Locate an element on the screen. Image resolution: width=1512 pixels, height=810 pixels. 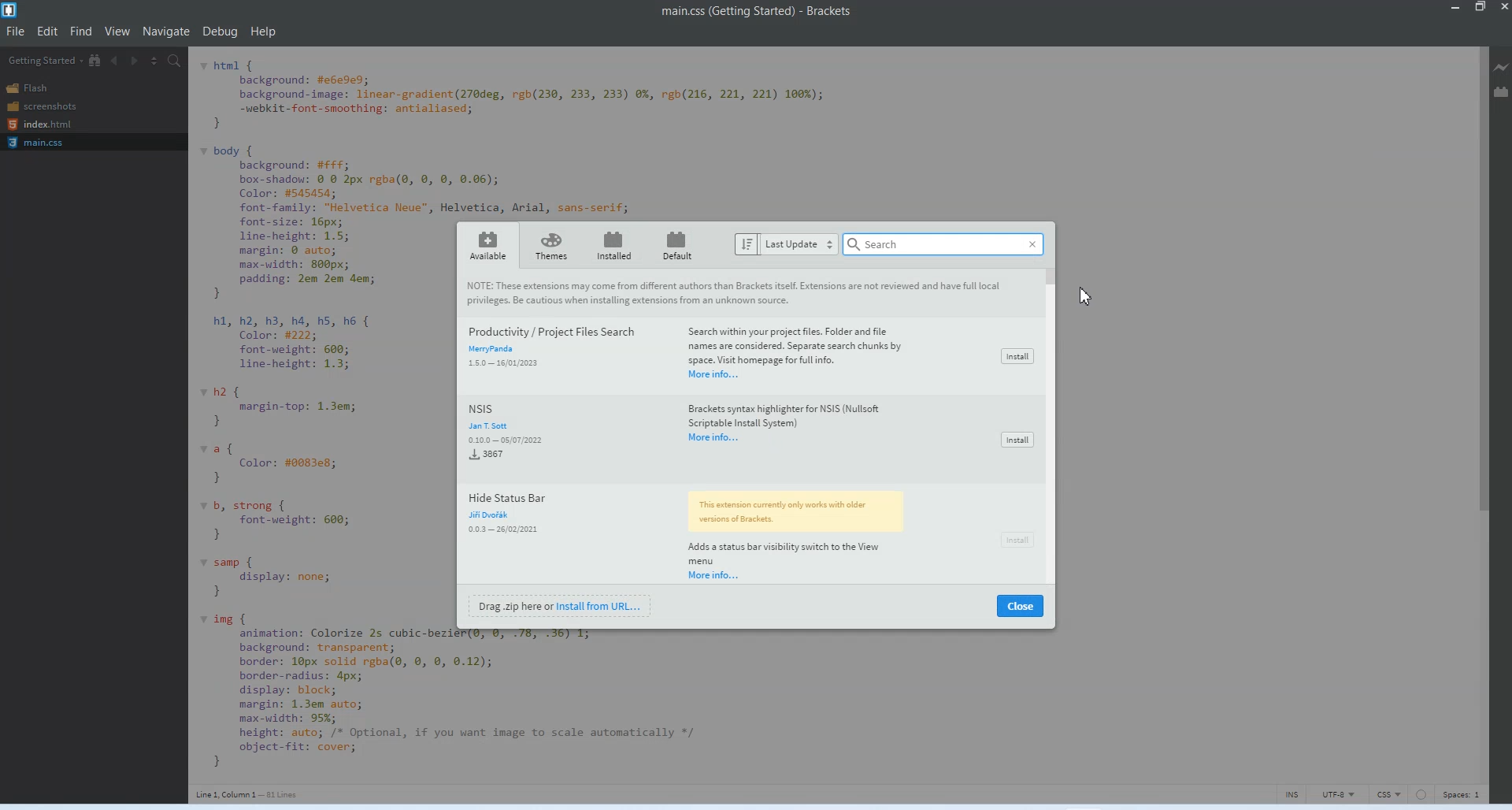
Default is located at coordinates (680, 244).